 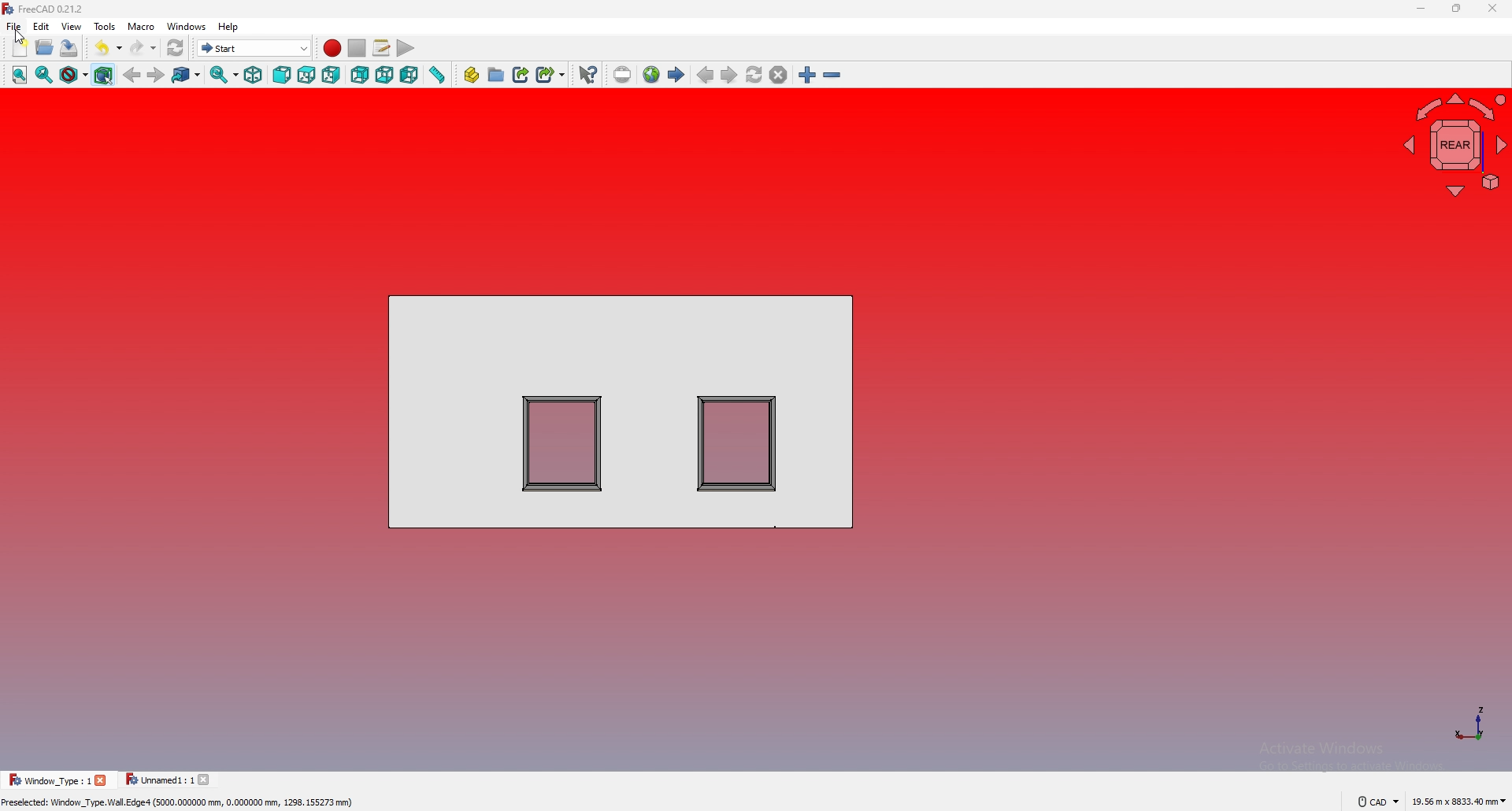 What do you see at coordinates (550, 75) in the screenshot?
I see `create sub link` at bounding box center [550, 75].